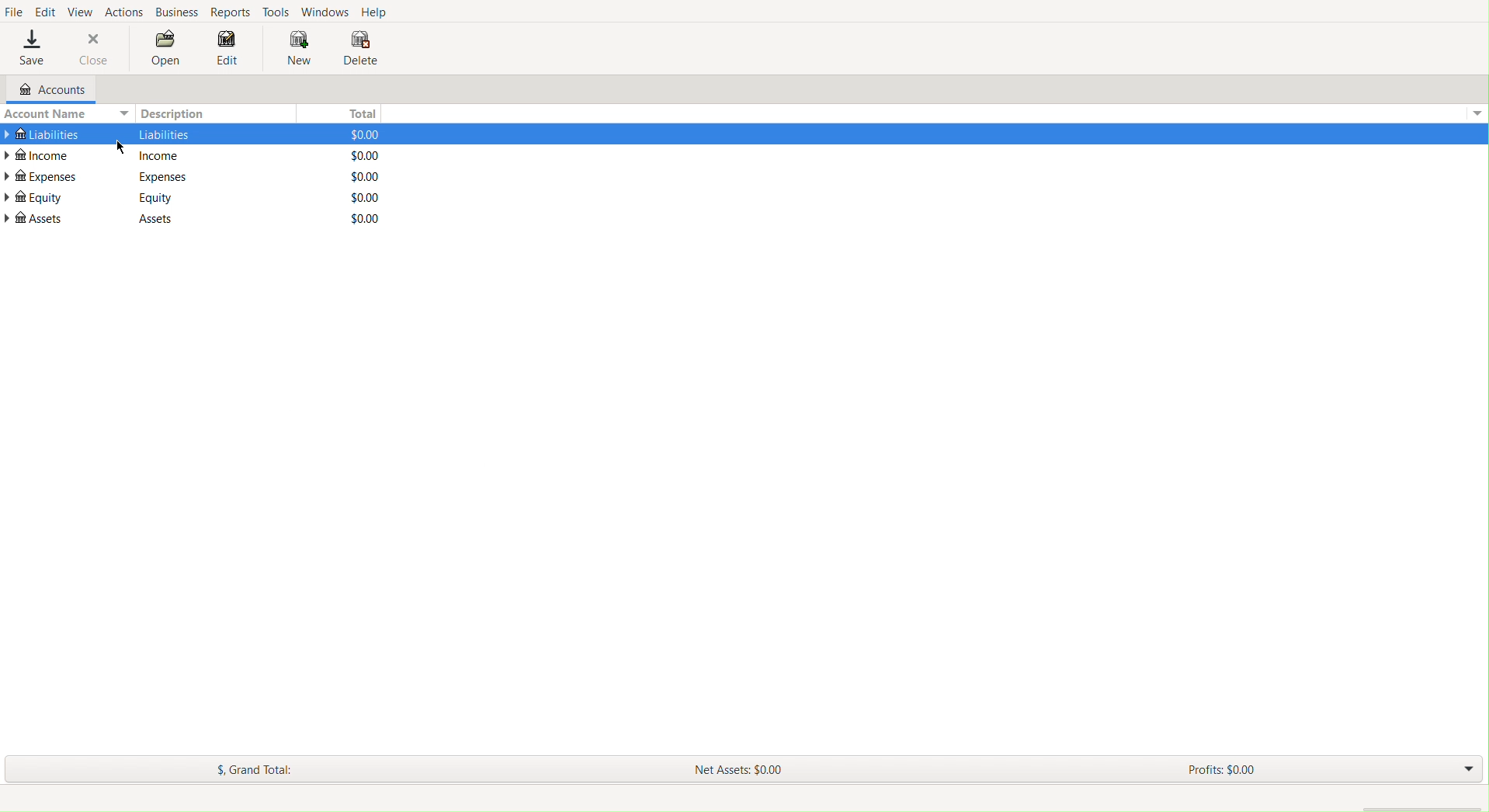 Image resolution: width=1489 pixels, height=812 pixels. I want to click on Account Name, so click(65, 113).